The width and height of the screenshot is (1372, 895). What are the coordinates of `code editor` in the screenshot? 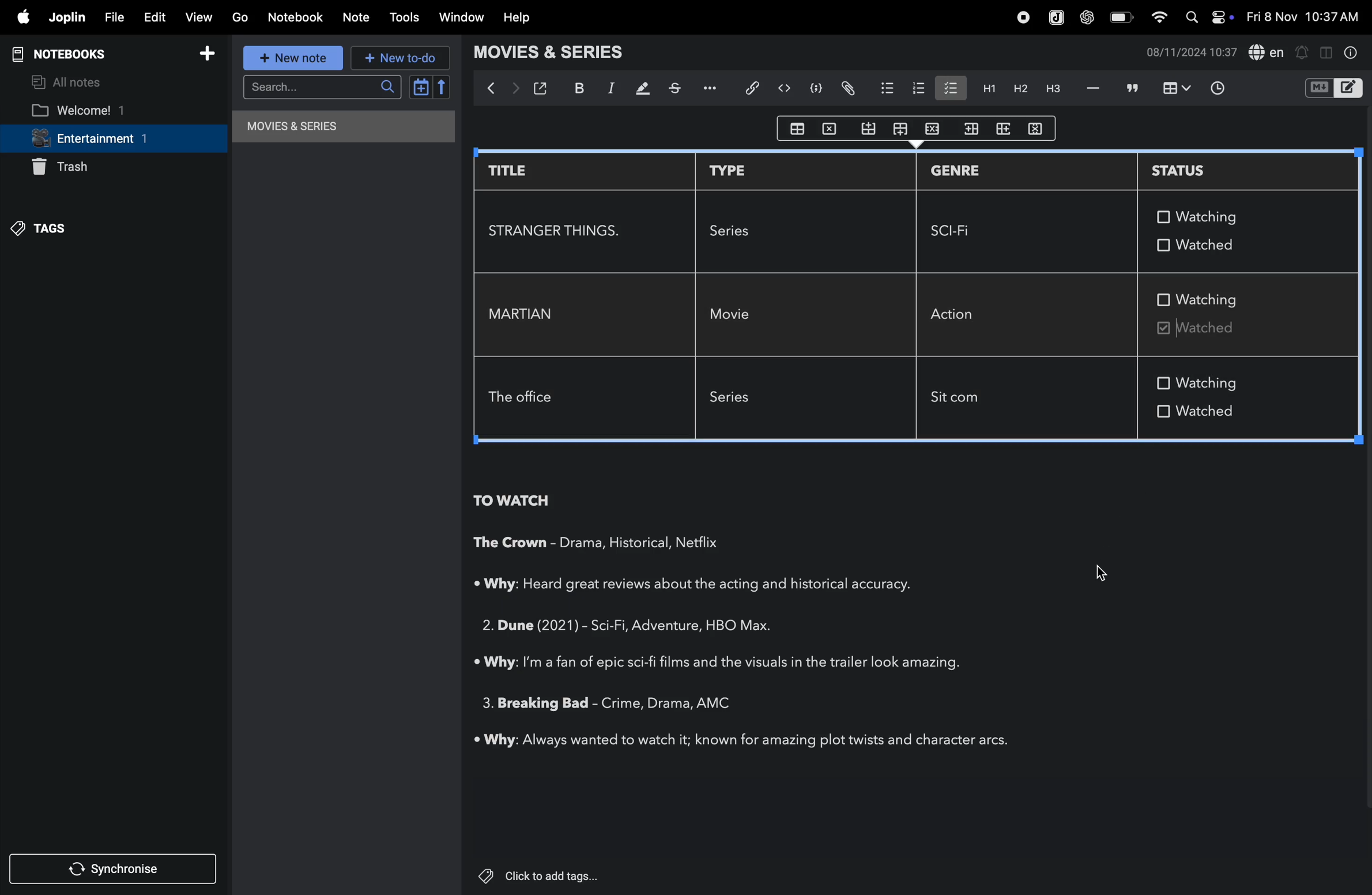 It's located at (784, 88).